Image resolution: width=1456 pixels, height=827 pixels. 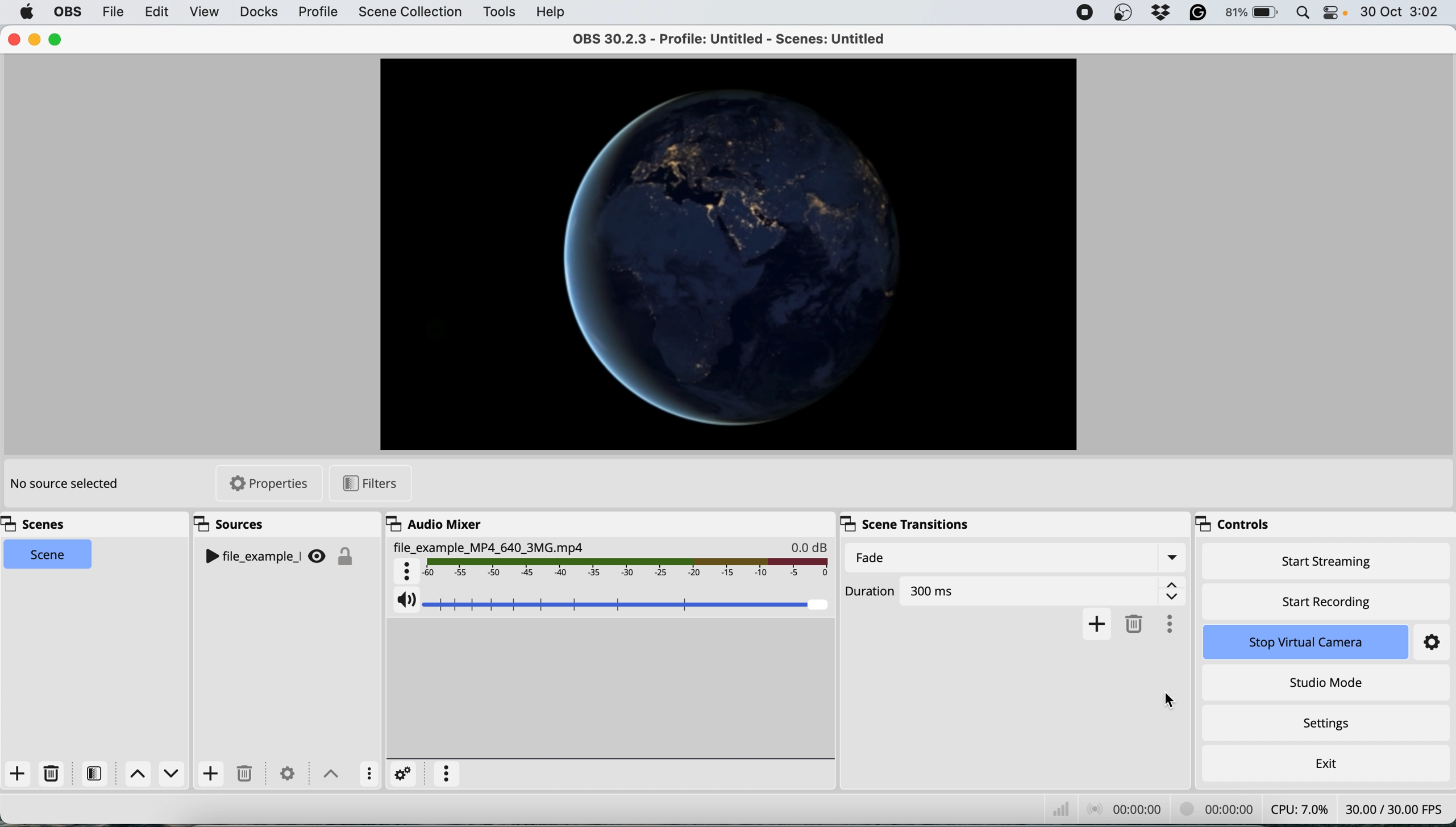 What do you see at coordinates (34, 39) in the screenshot?
I see `minimise` at bounding box center [34, 39].